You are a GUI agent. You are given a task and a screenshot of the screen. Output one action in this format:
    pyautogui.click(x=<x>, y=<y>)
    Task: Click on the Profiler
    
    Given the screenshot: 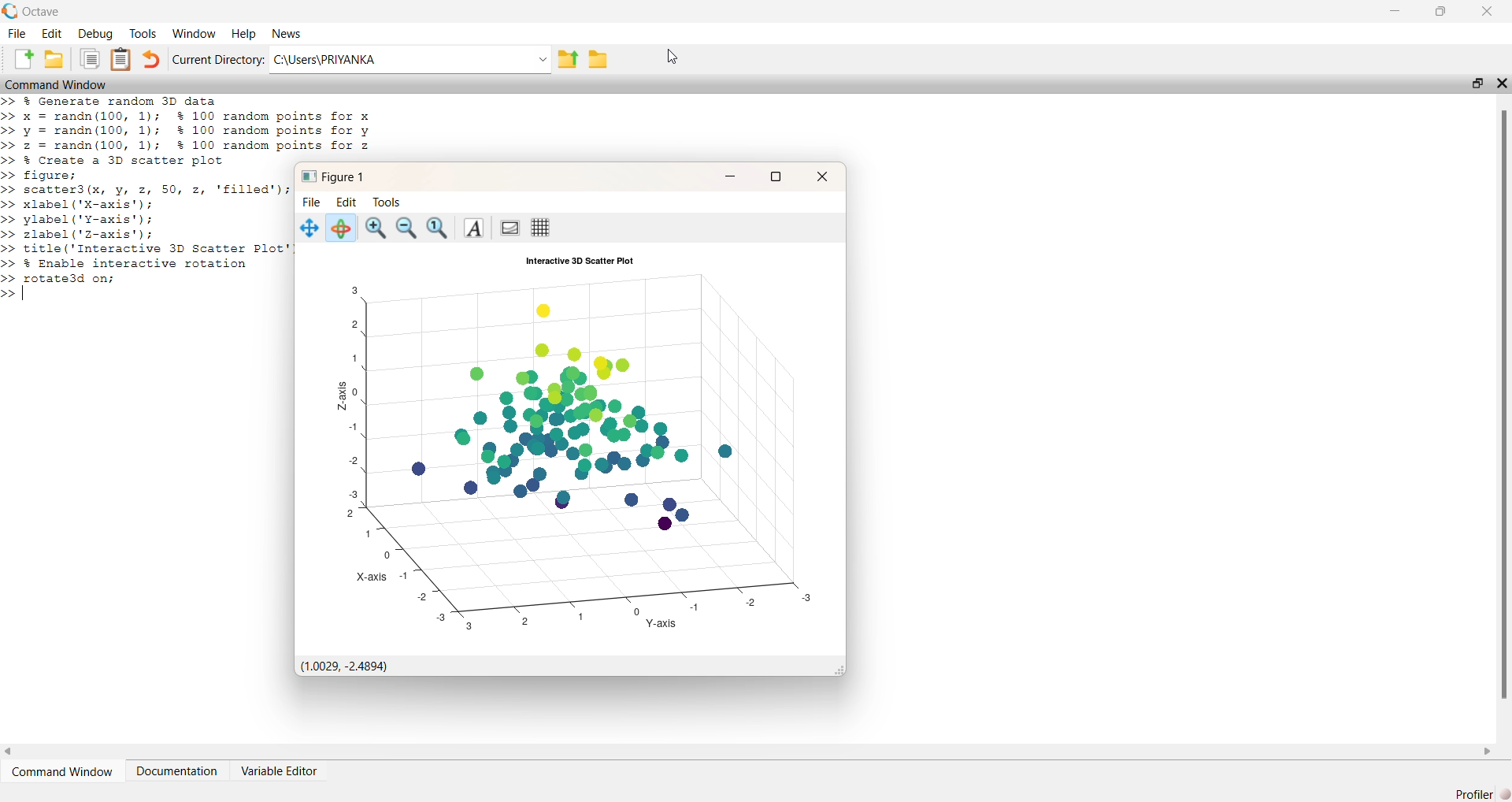 What is the action you would take?
    pyautogui.click(x=1481, y=793)
    